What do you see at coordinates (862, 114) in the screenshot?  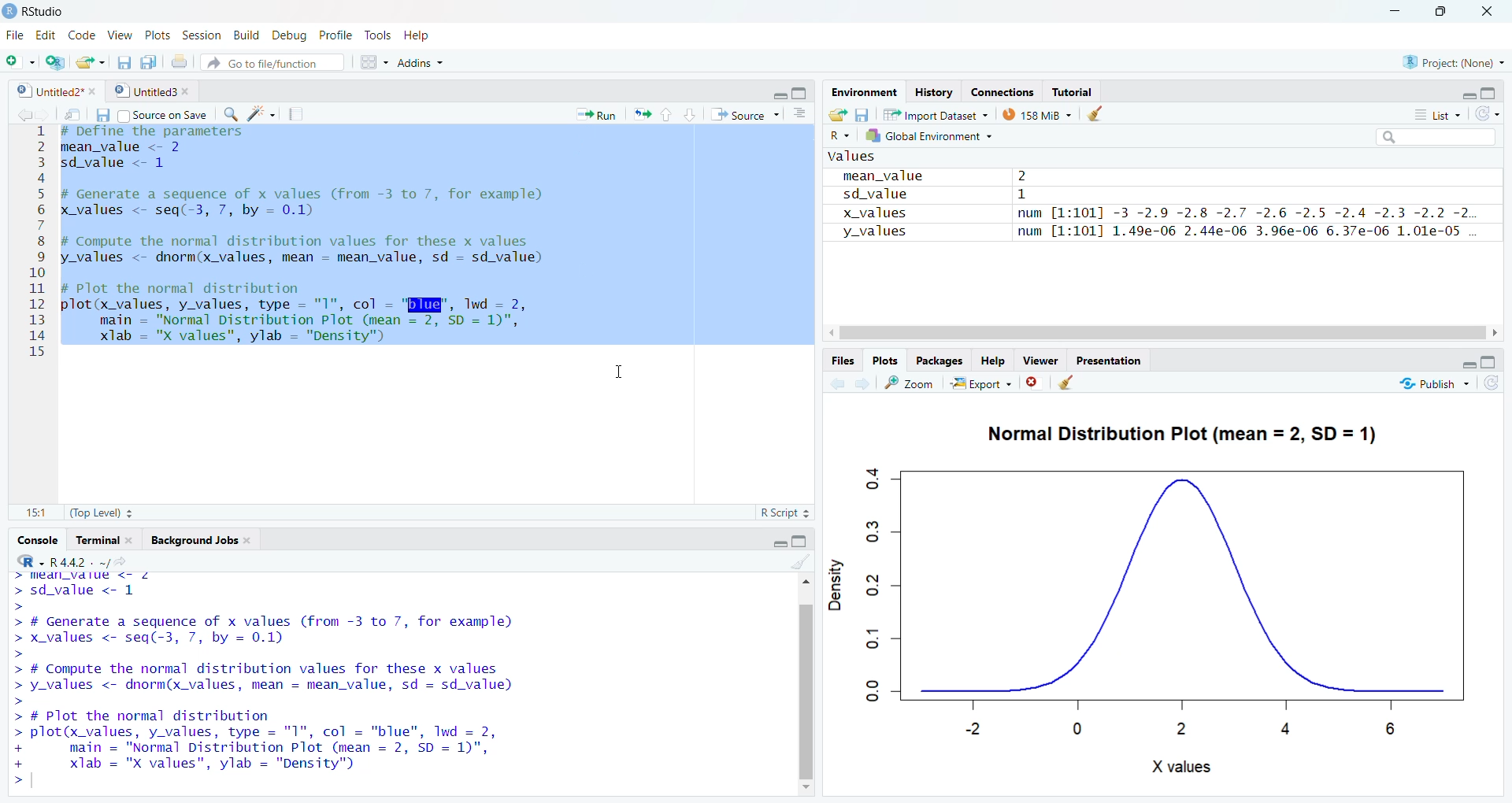 I see `` at bounding box center [862, 114].